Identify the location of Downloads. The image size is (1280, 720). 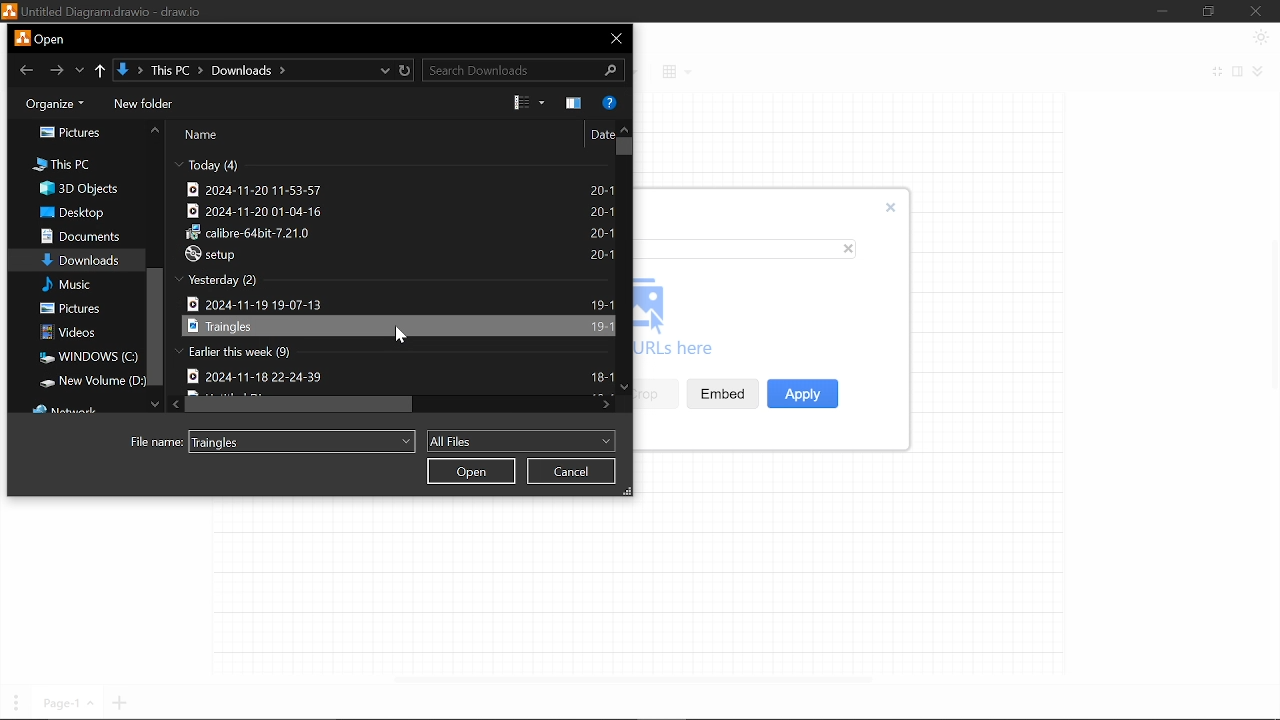
(77, 261).